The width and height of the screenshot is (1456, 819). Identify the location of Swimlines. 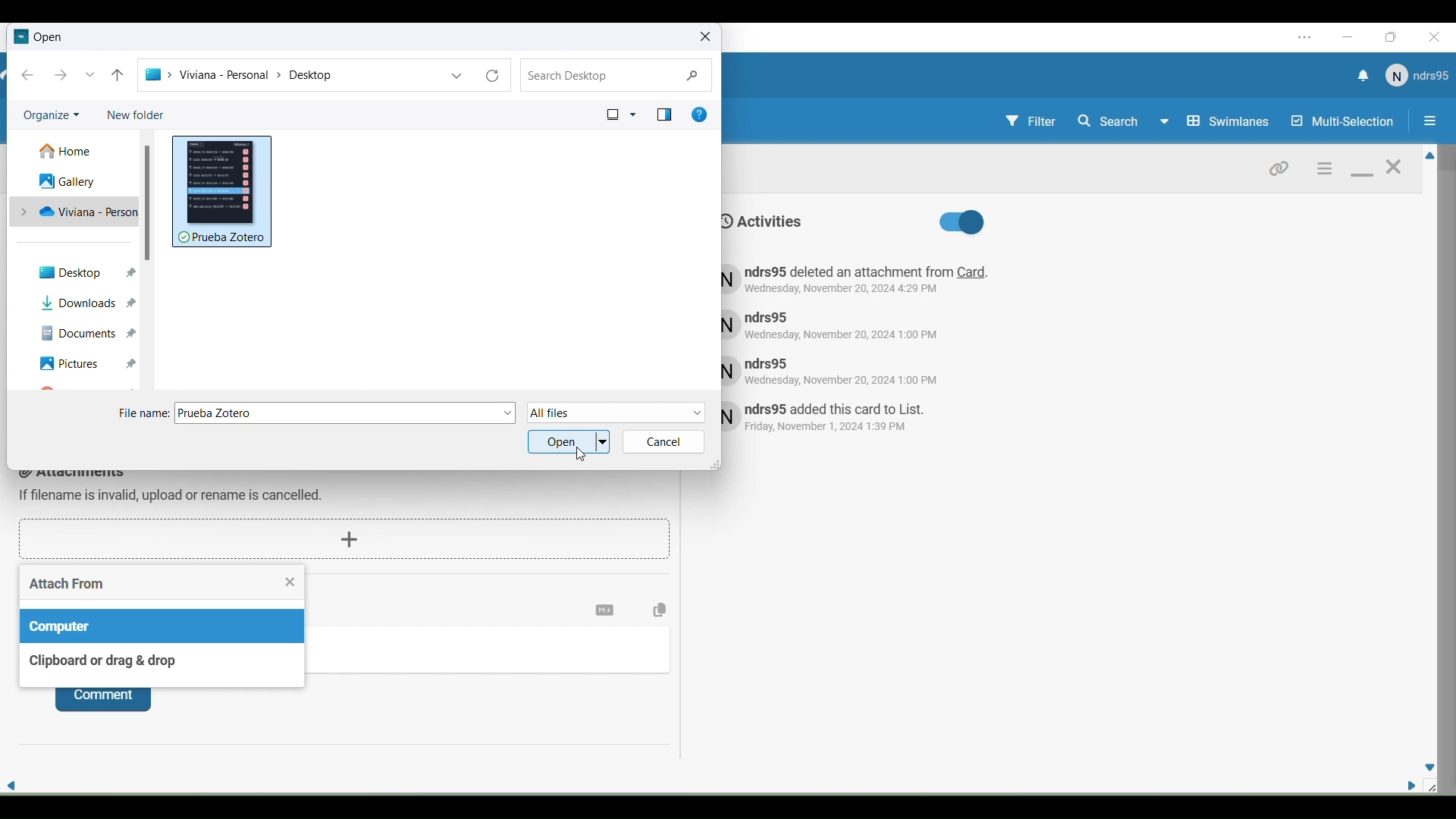
(1230, 121).